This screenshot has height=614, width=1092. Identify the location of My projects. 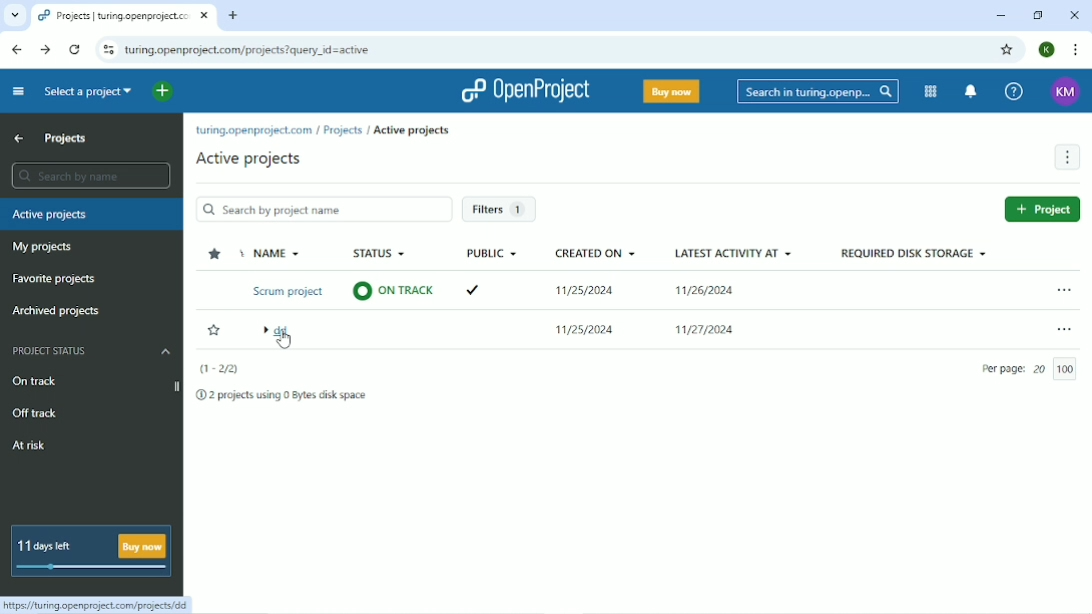
(41, 248).